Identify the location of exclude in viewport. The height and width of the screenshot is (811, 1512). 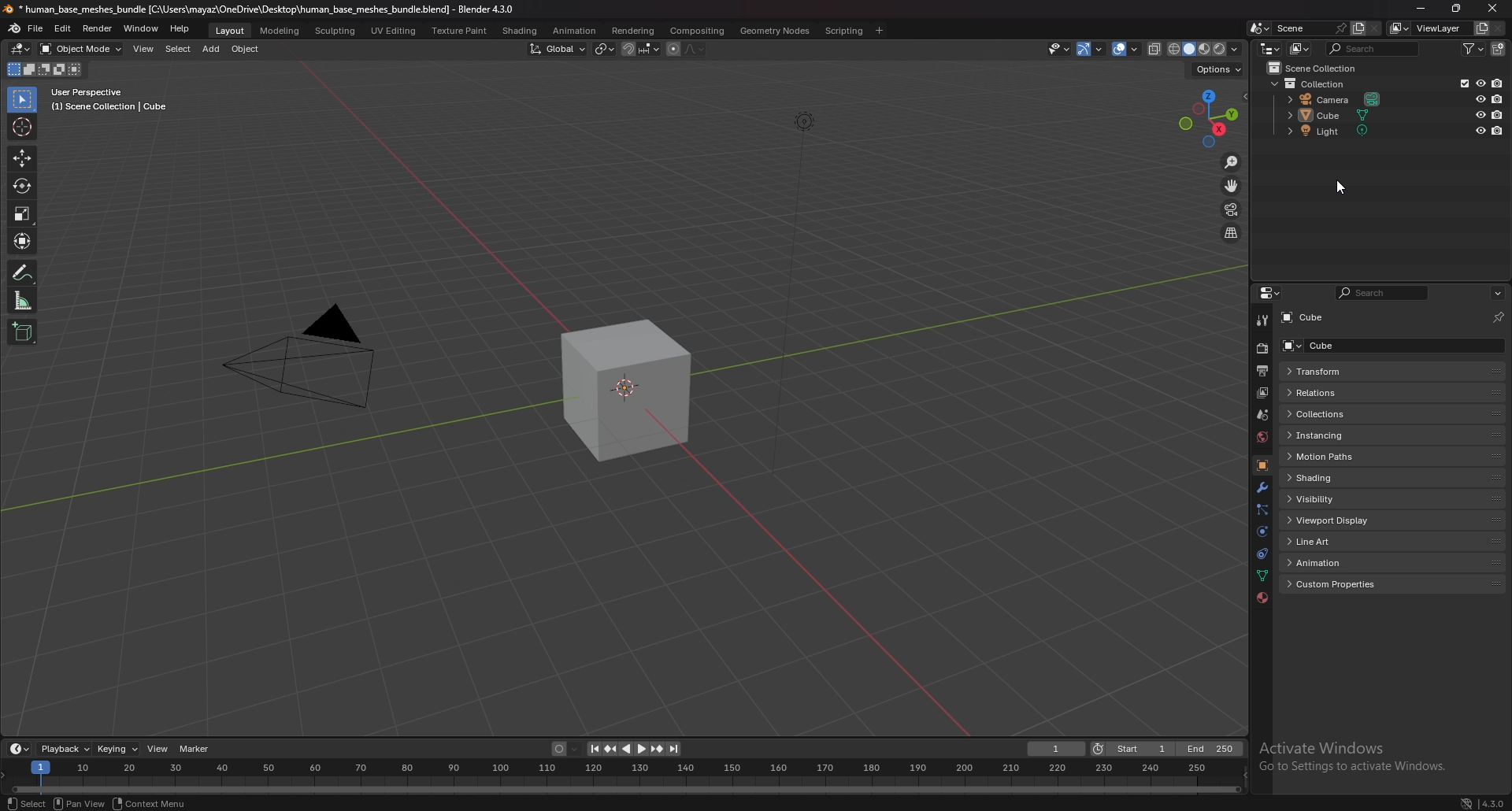
(1462, 83).